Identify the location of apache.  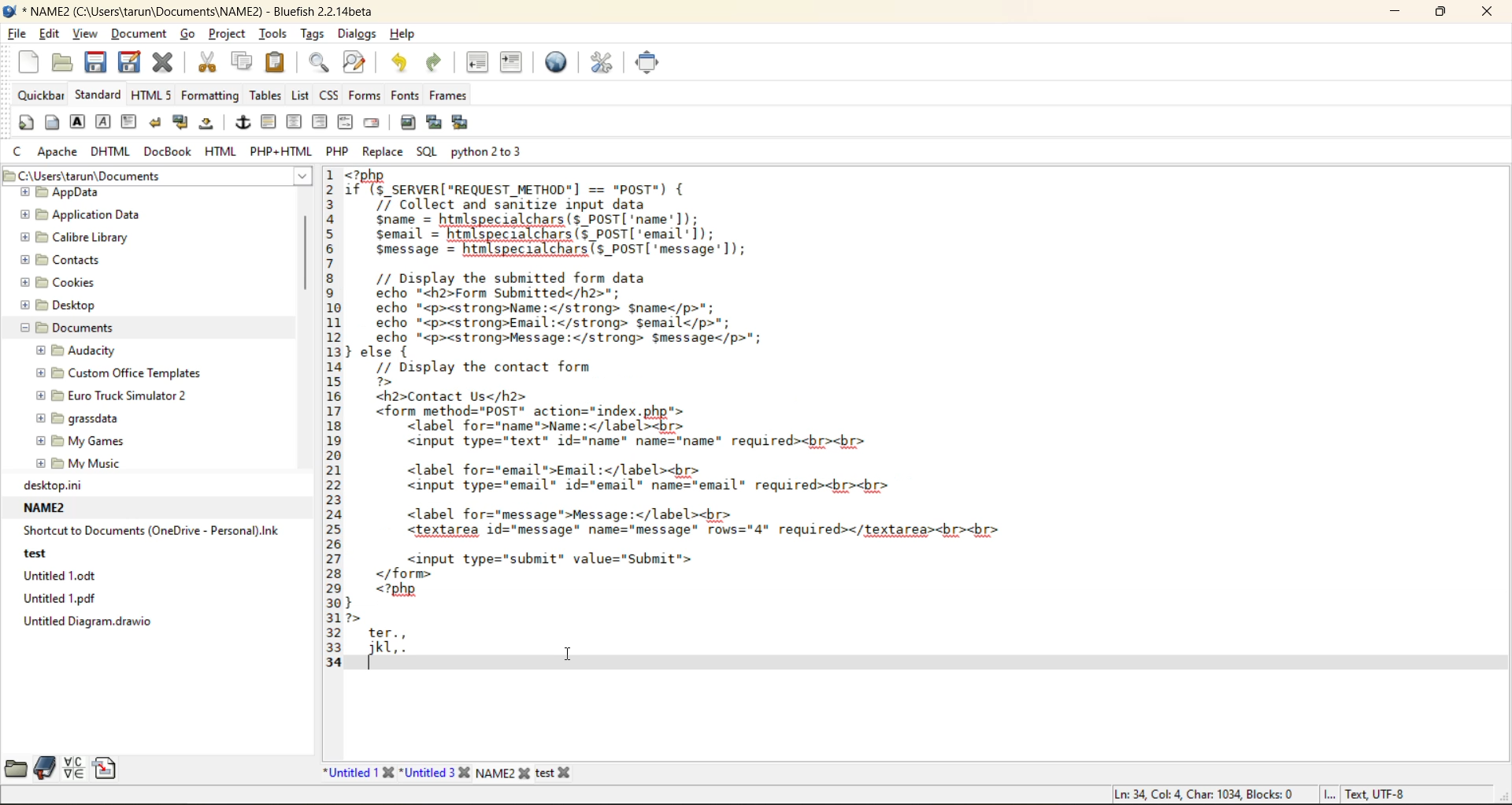
(61, 151).